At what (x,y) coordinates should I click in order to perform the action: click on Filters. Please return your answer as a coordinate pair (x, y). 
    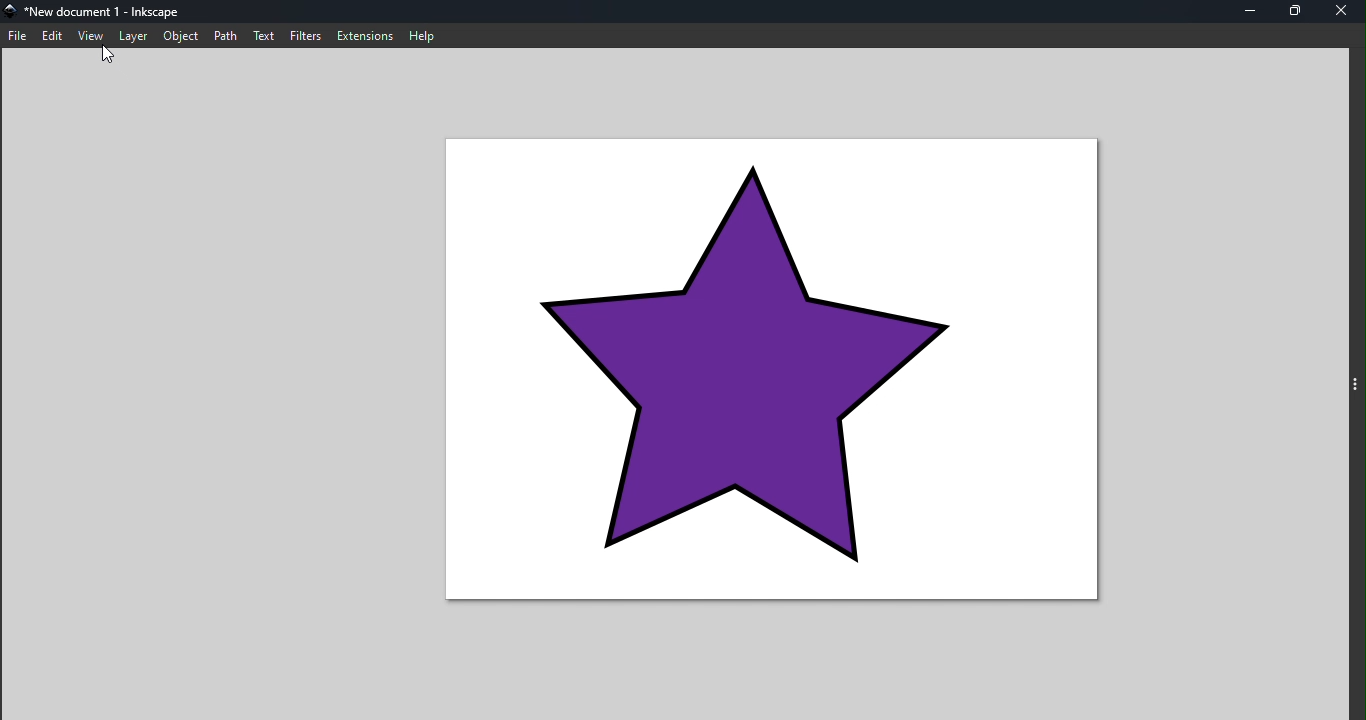
    Looking at the image, I should click on (301, 37).